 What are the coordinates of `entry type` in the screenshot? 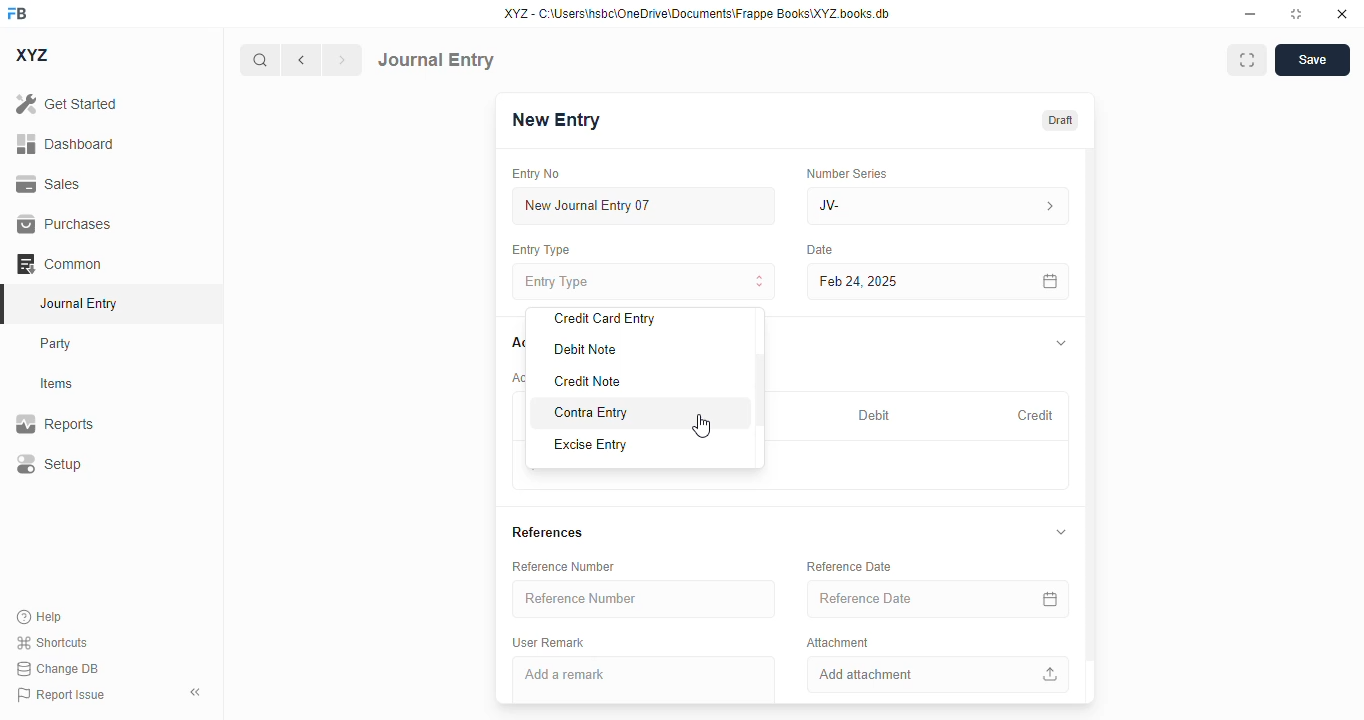 It's located at (542, 250).